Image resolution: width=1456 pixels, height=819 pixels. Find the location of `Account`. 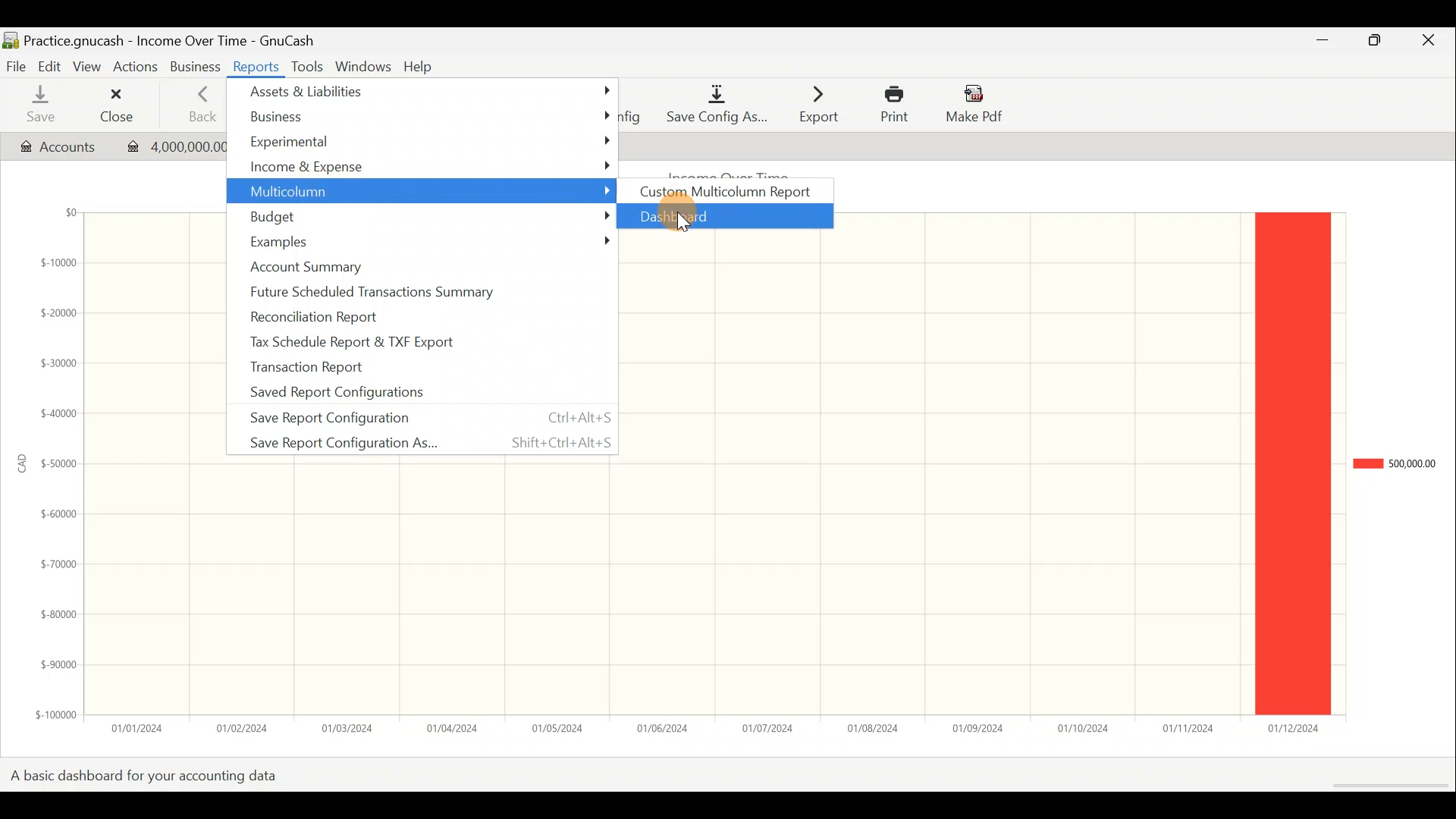

Account is located at coordinates (57, 147).